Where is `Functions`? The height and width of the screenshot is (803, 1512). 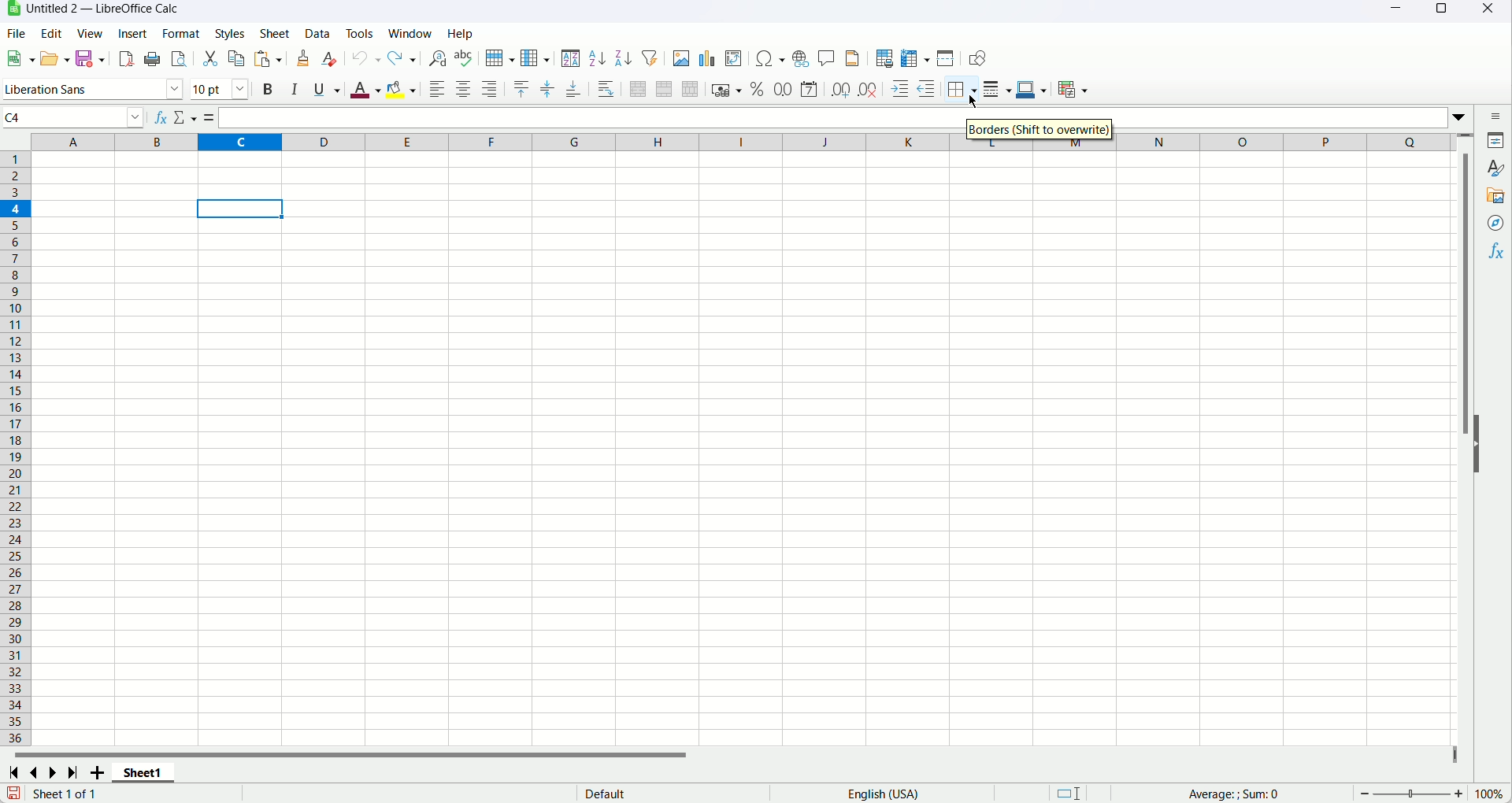
Functions is located at coordinates (1498, 250).